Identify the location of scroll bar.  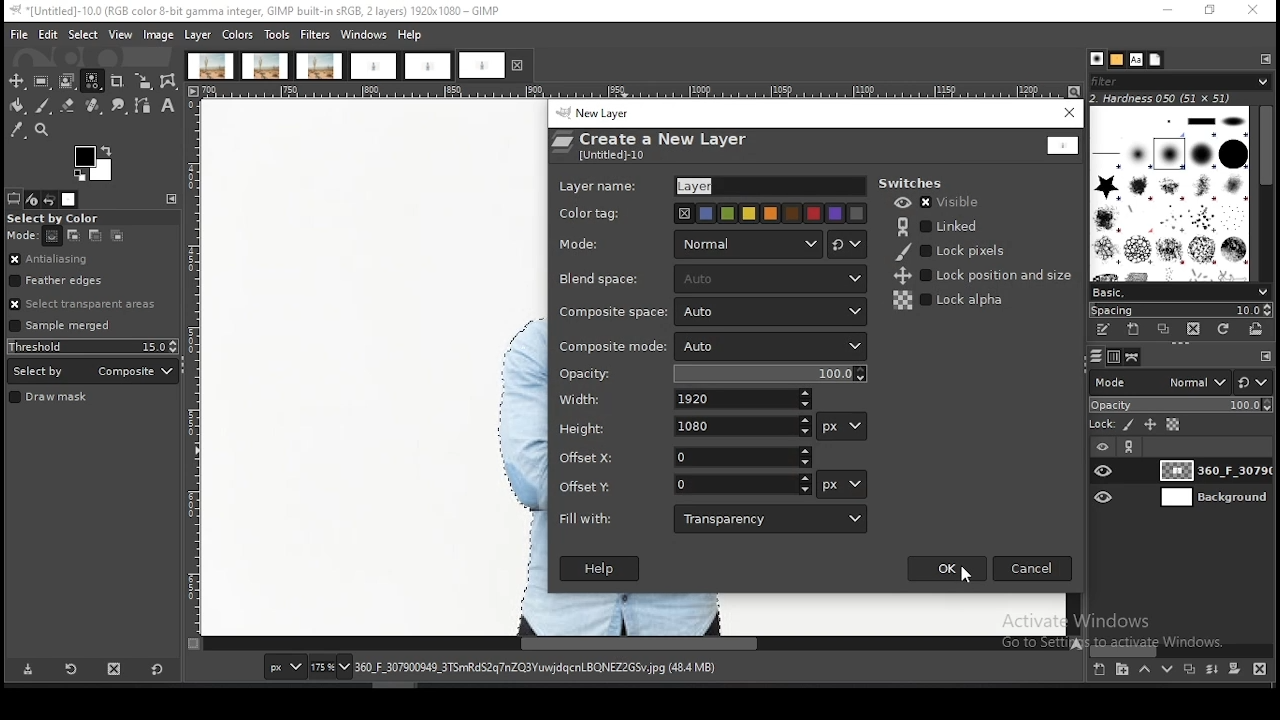
(1264, 194).